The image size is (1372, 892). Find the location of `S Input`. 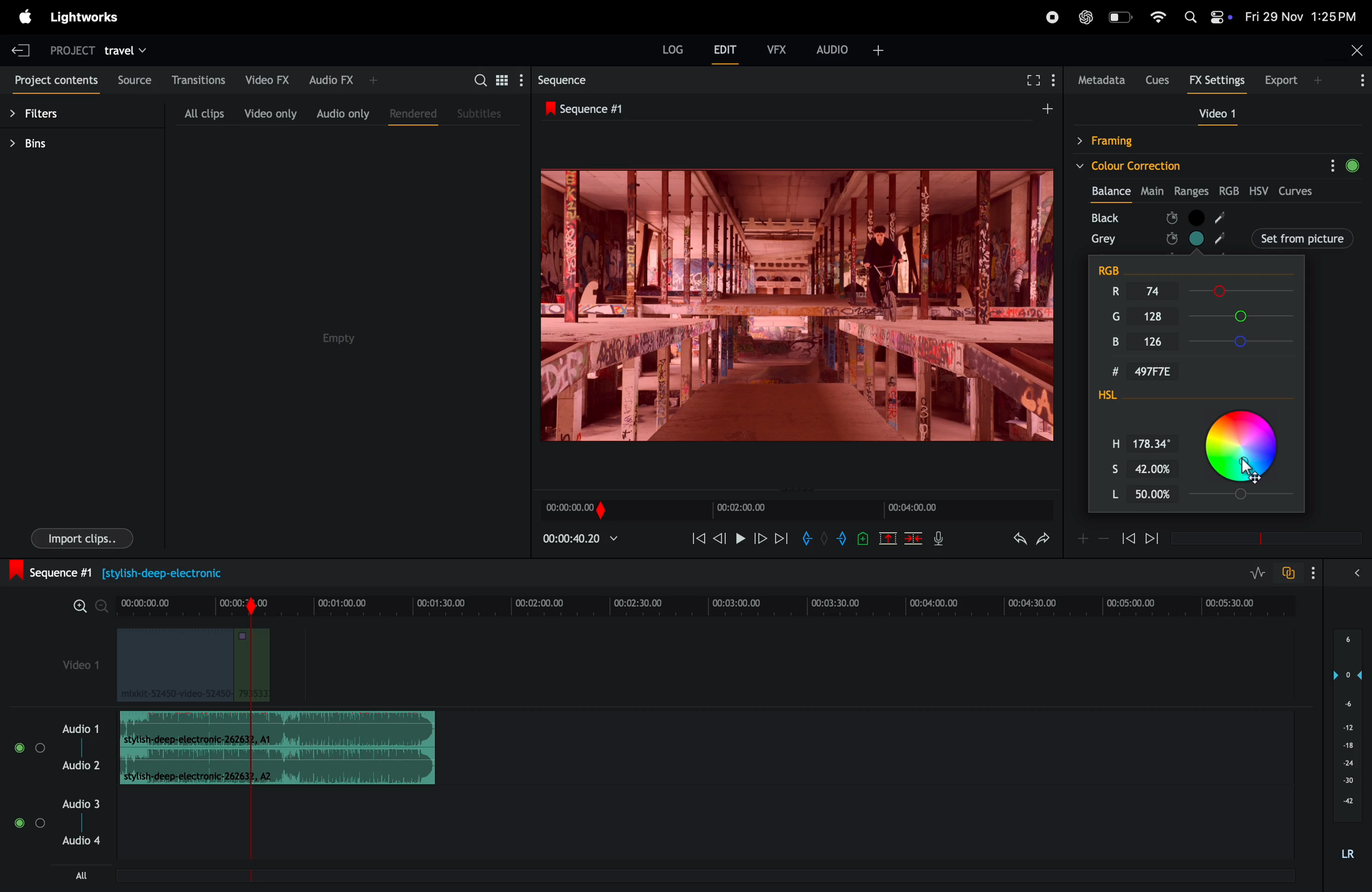

S Input is located at coordinates (1156, 467).